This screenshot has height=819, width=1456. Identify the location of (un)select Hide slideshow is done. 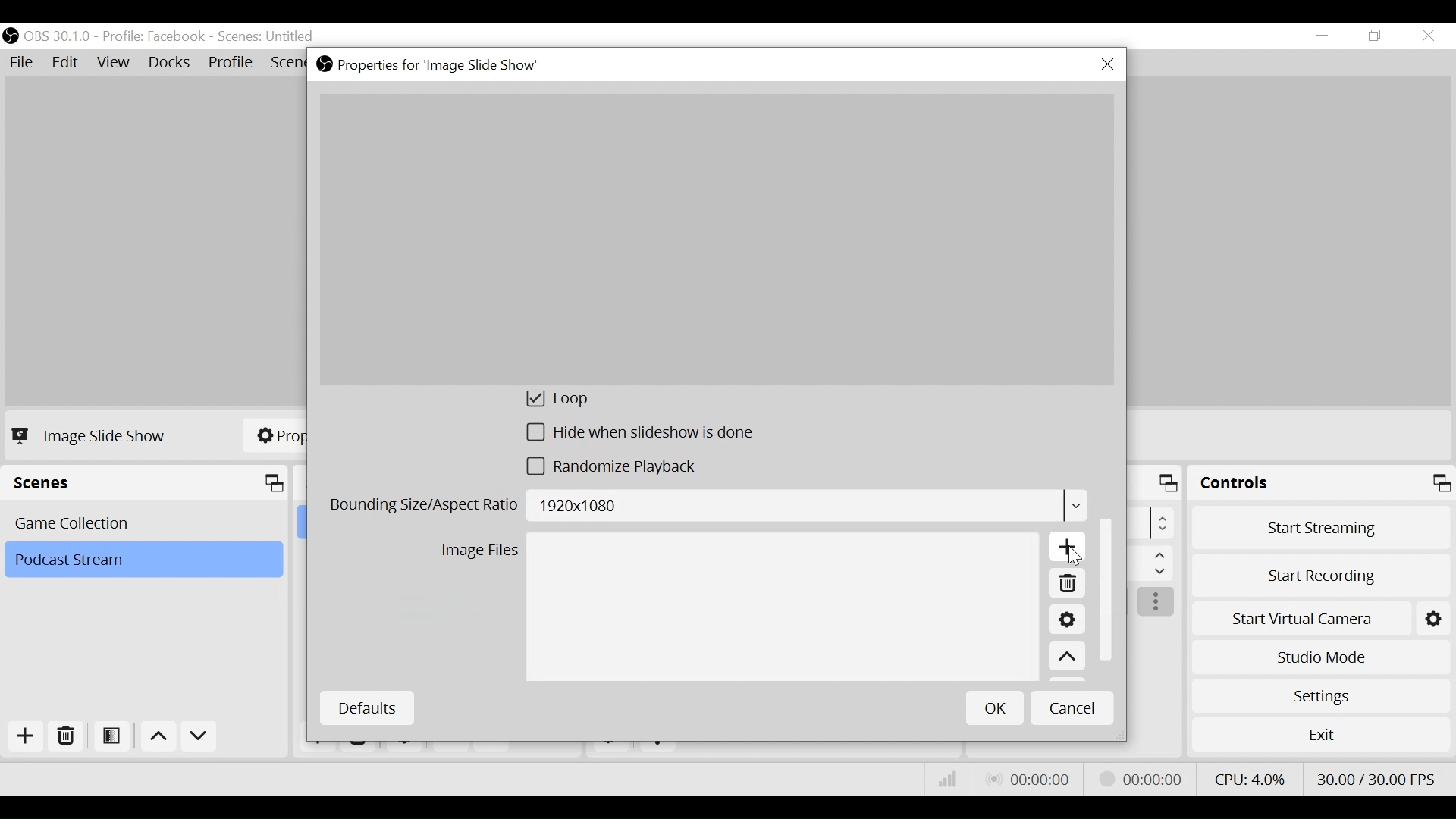
(641, 435).